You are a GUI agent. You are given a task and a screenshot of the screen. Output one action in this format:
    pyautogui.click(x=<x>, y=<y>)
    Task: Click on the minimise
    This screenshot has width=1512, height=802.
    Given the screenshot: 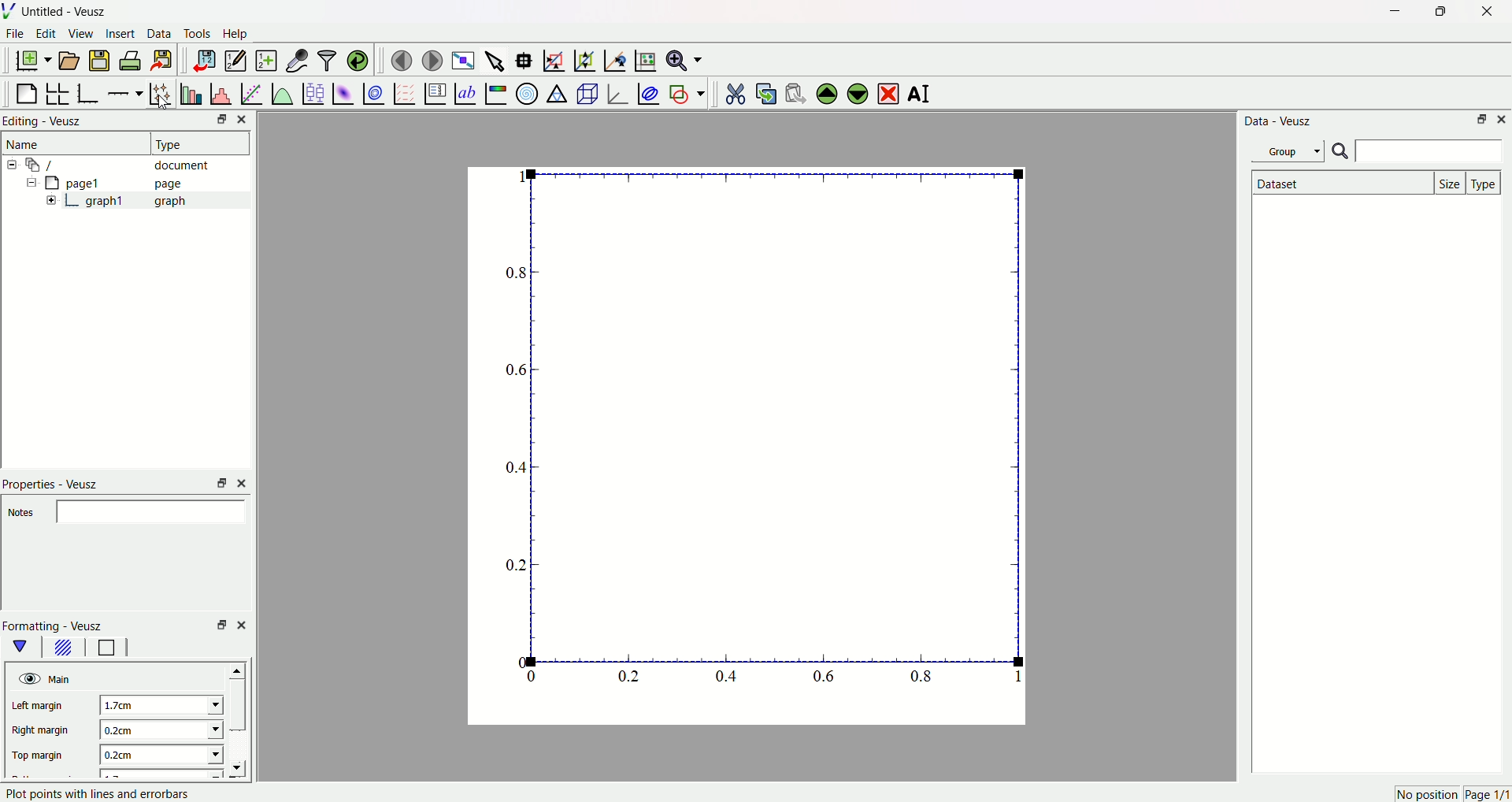 What is the action you would take?
    pyautogui.click(x=218, y=625)
    